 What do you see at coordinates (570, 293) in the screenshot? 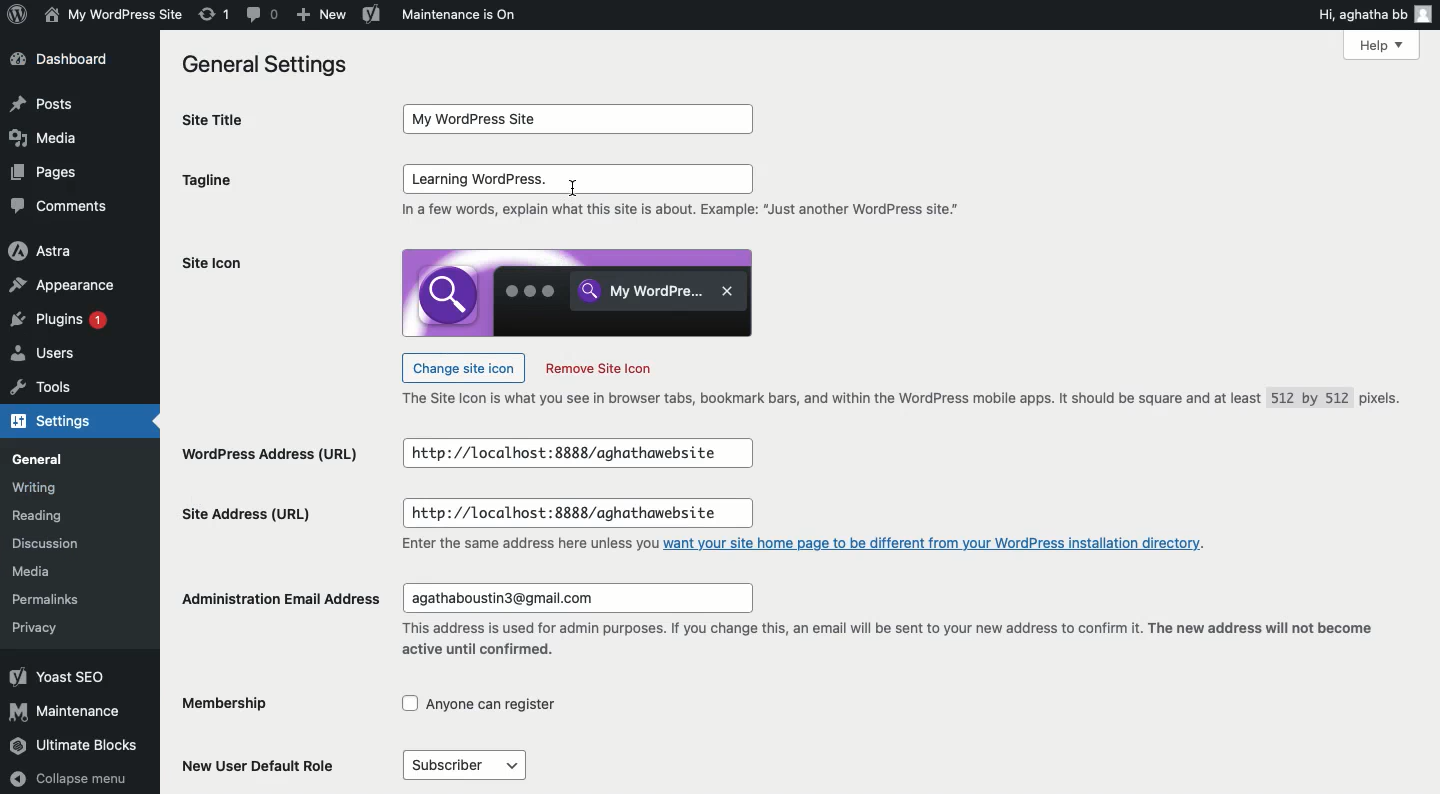
I see `icon image` at bounding box center [570, 293].